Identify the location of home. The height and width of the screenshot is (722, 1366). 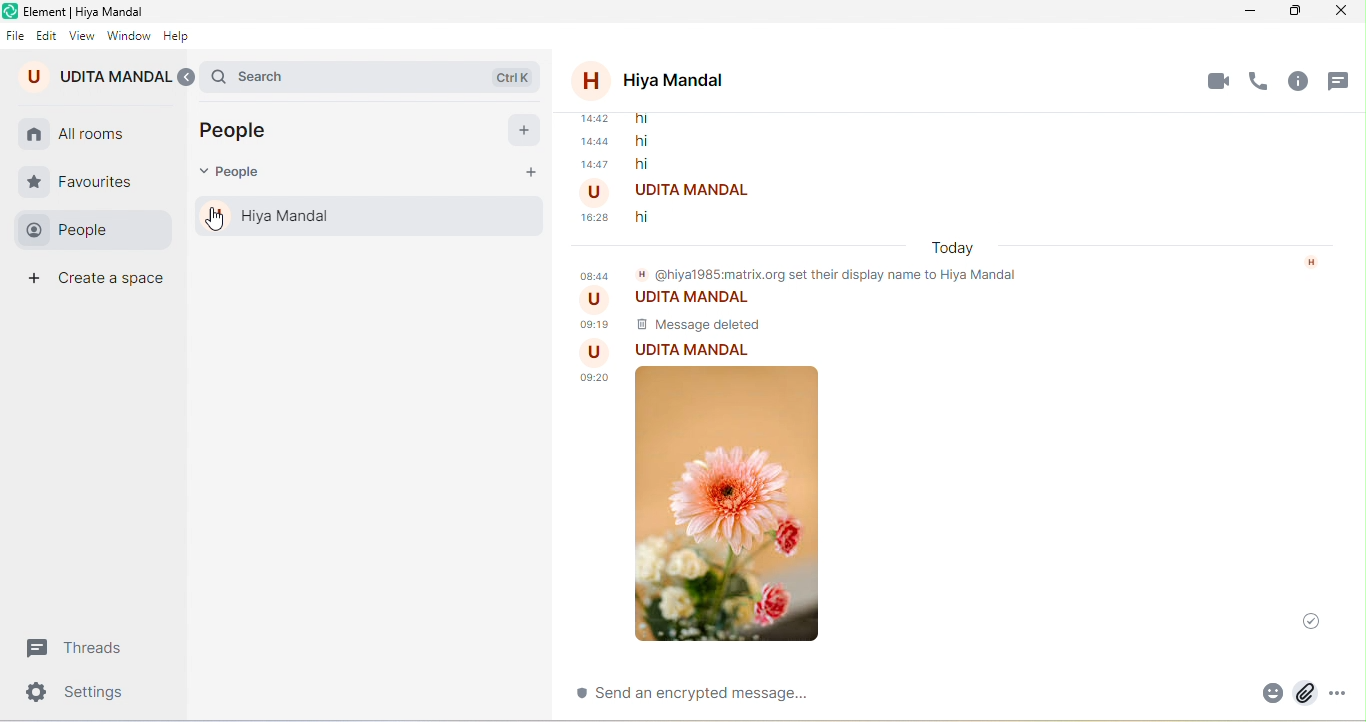
(35, 135).